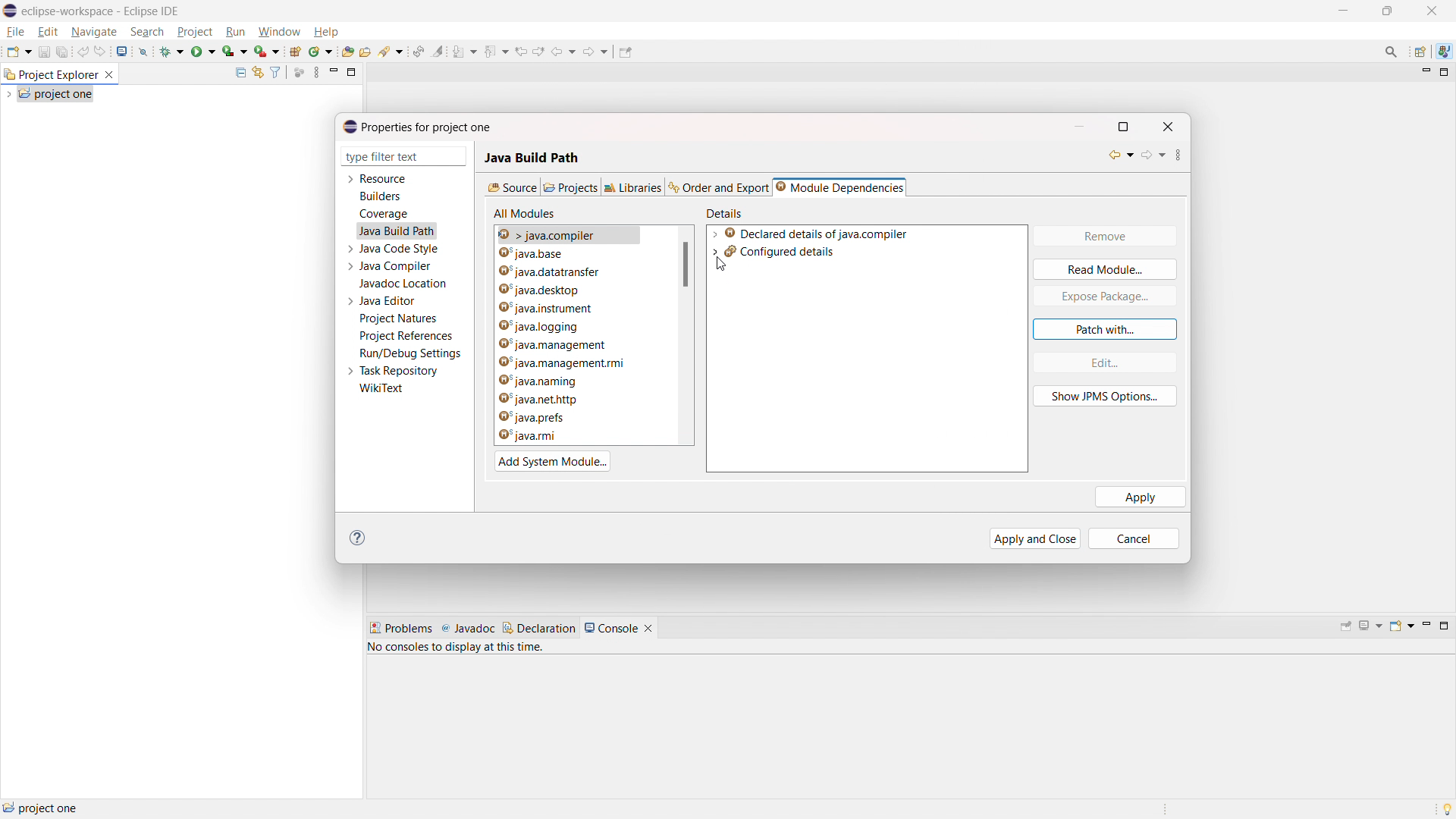  I want to click on java.datatransfer, so click(578, 272).